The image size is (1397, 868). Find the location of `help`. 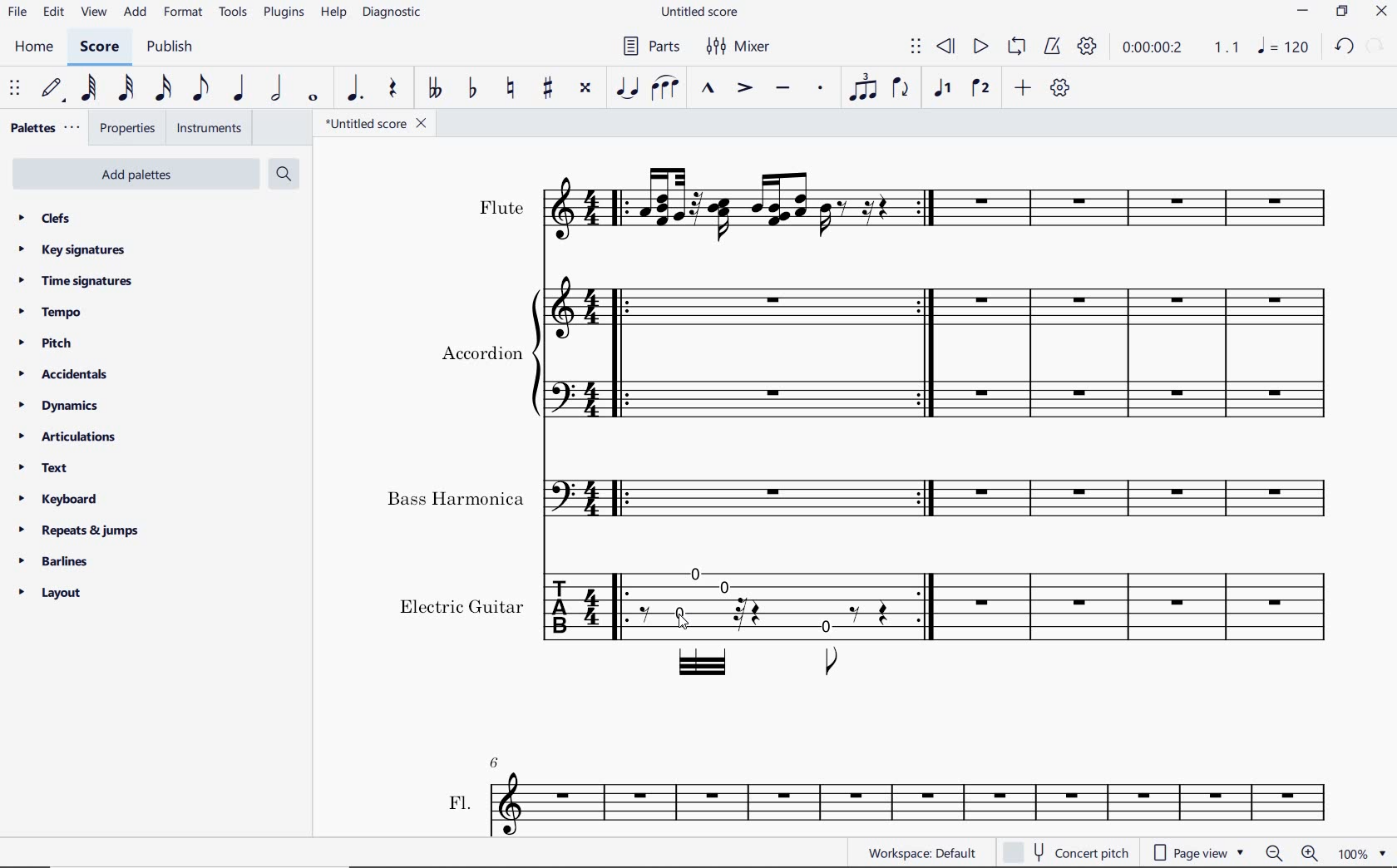

help is located at coordinates (333, 13).